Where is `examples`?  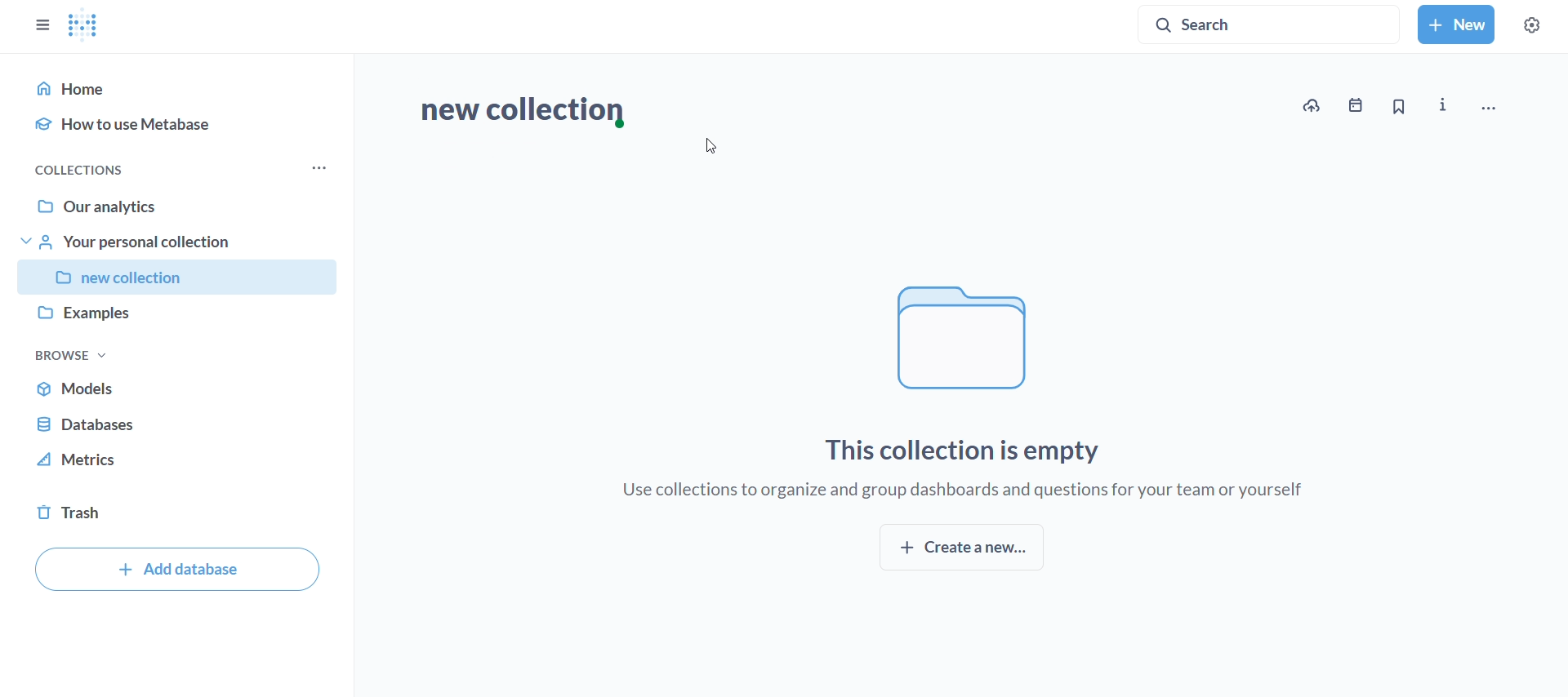 examples is located at coordinates (183, 317).